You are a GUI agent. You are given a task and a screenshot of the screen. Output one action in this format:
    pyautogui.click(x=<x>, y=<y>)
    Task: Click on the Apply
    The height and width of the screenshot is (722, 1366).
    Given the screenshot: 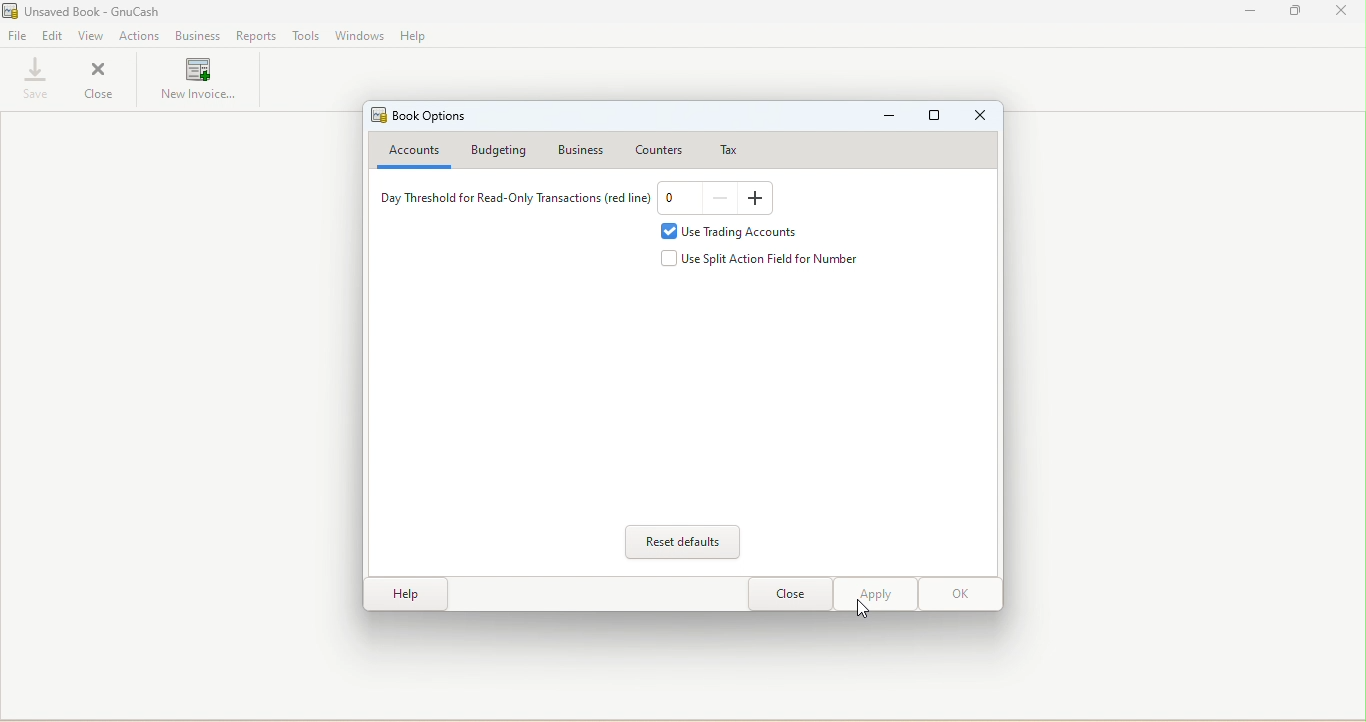 What is the action you would take?
    pyautogui.click(x=874, y=595)
    